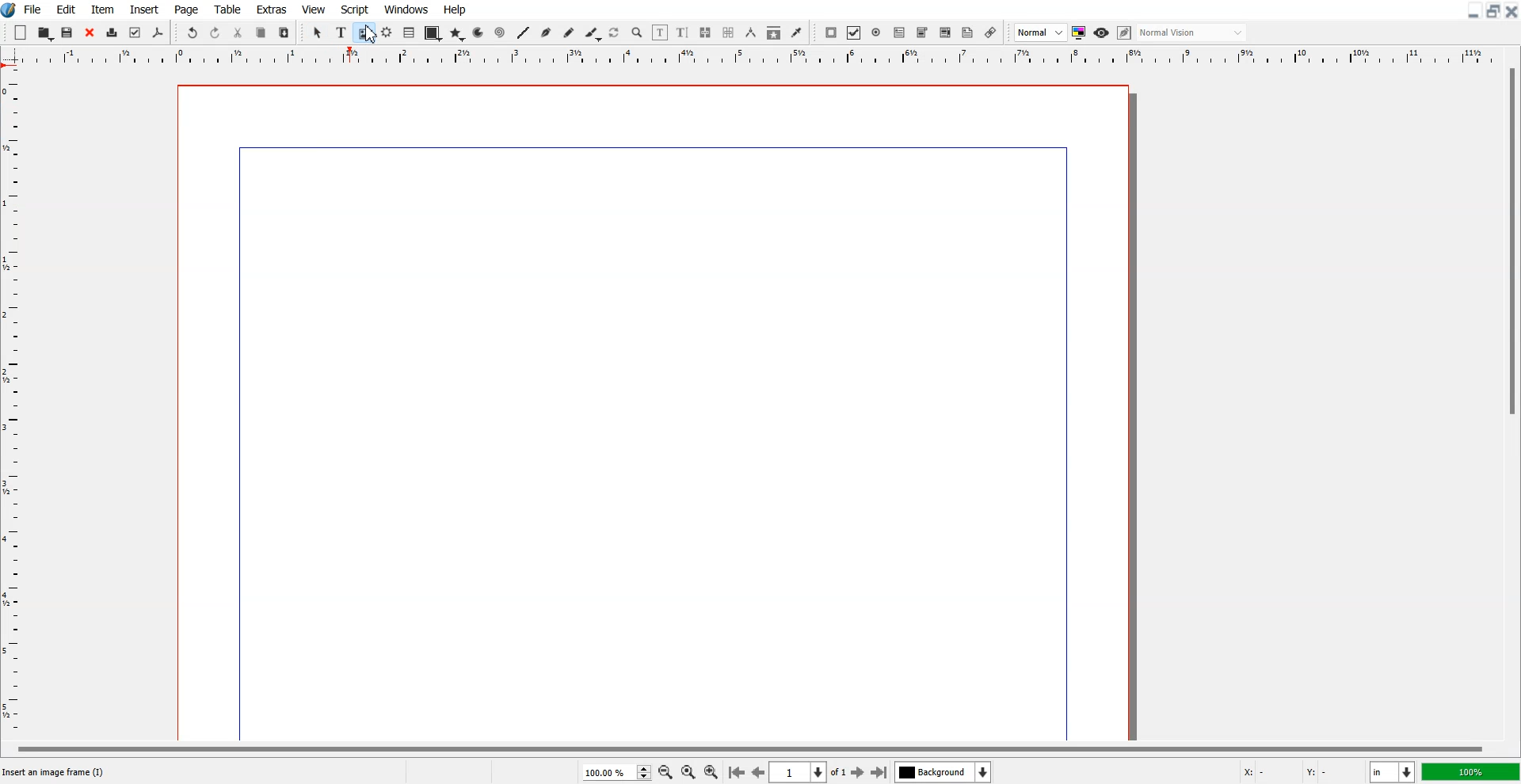  Describe the element at coordinates (946, 32) in the screenshot. I see `PDF List Box` at that location.